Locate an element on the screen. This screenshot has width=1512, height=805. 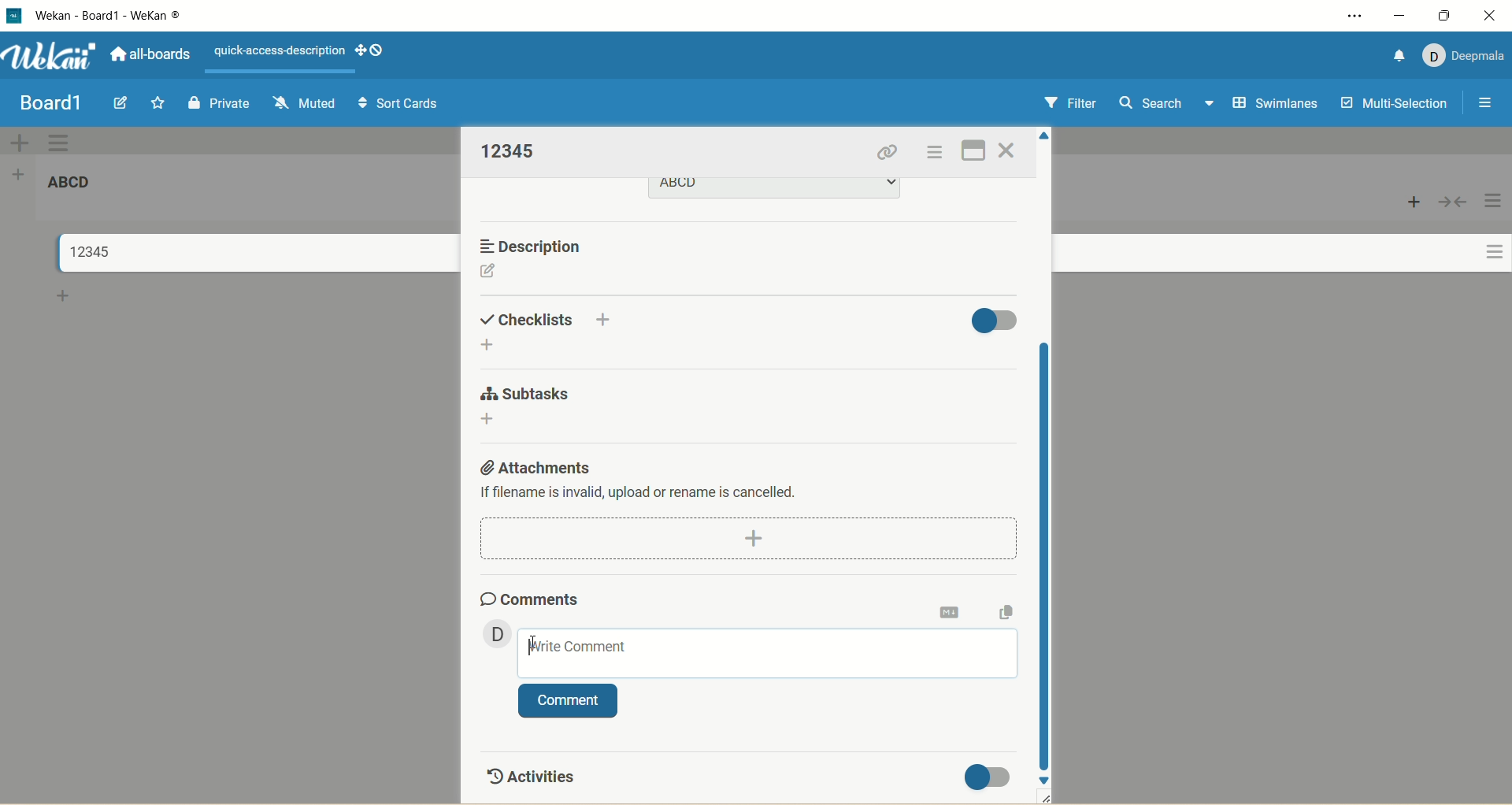
title is located at coordinates (83, 252).